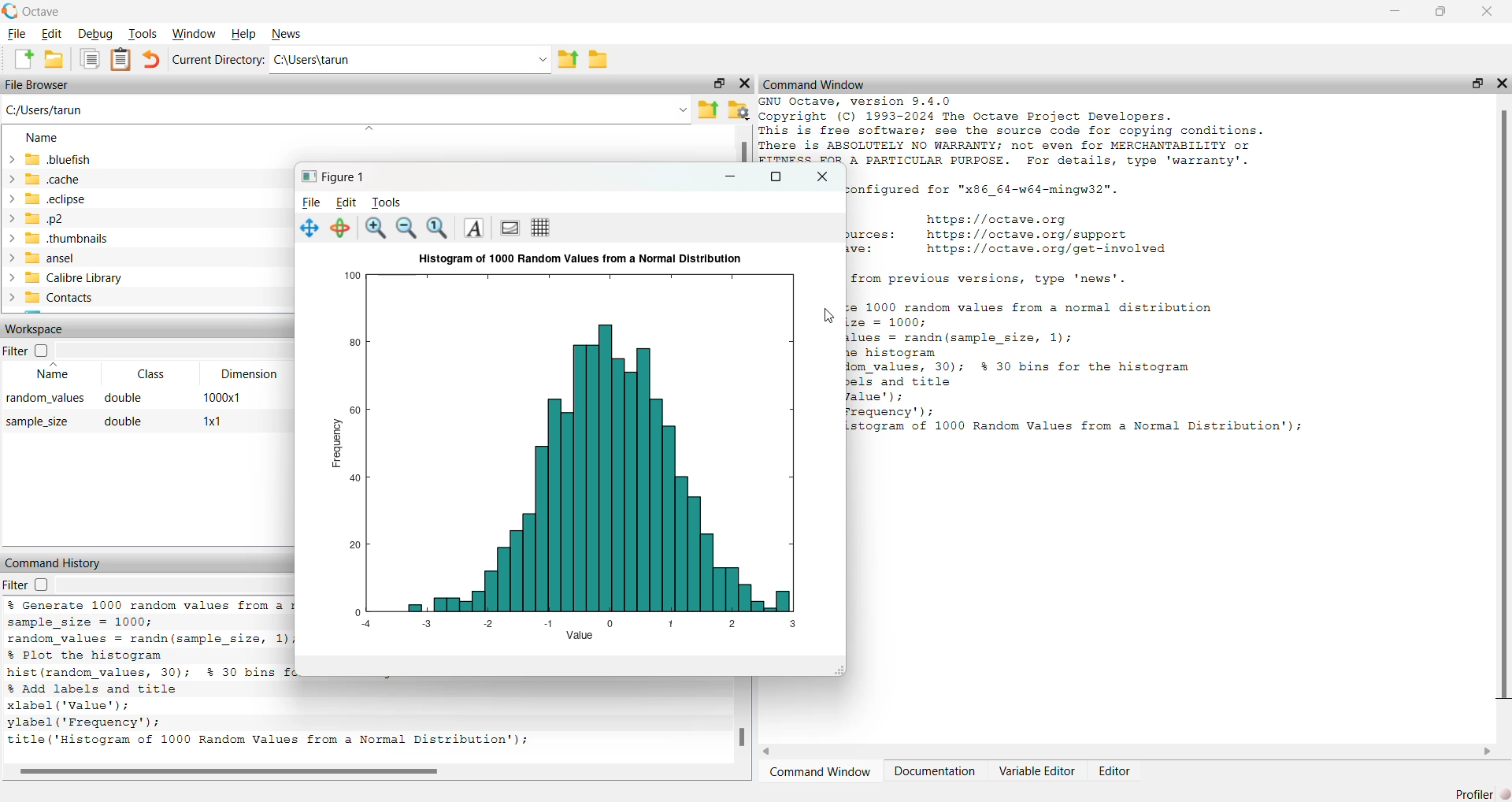 The image size is (1512, 802). Describe the element at coordinates (543, 228) in the screenshot. I see `Grid toggle` at that location.